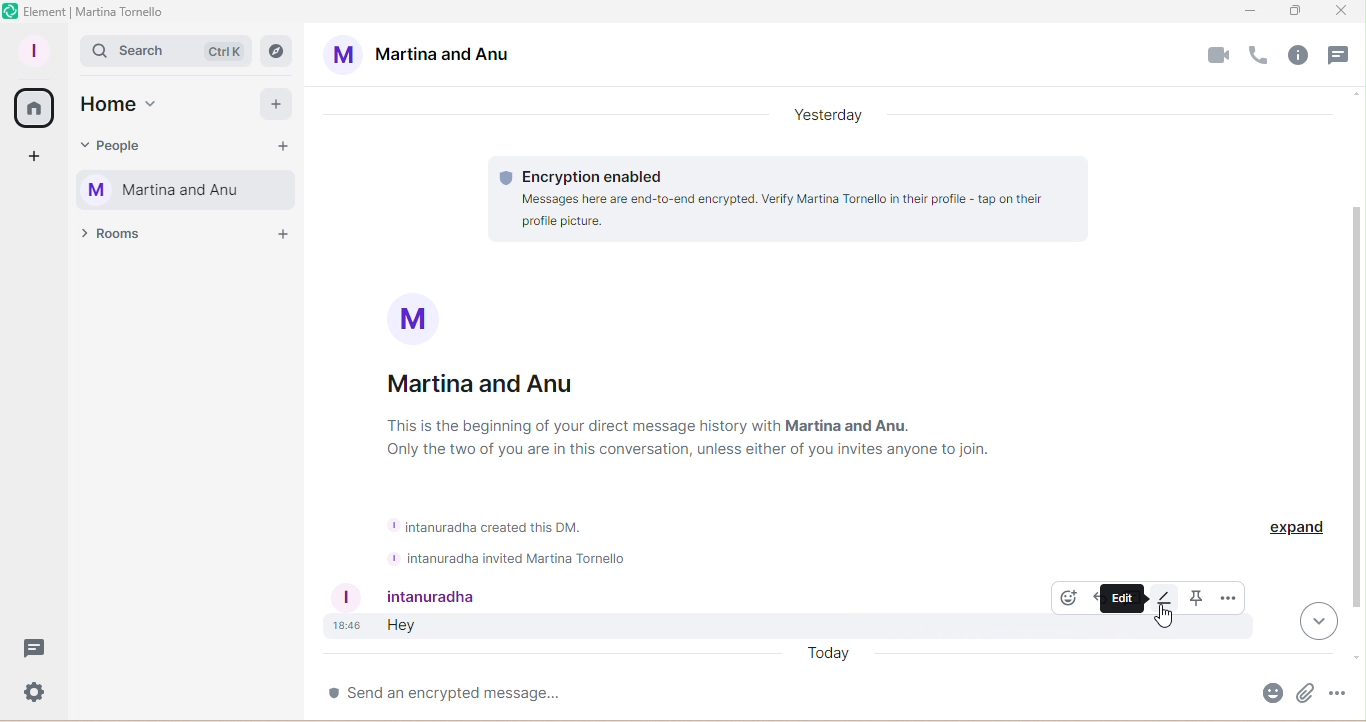  Describe the element at coordinates (1302, 696) in the screenshot. I see `Attachment` at that location.